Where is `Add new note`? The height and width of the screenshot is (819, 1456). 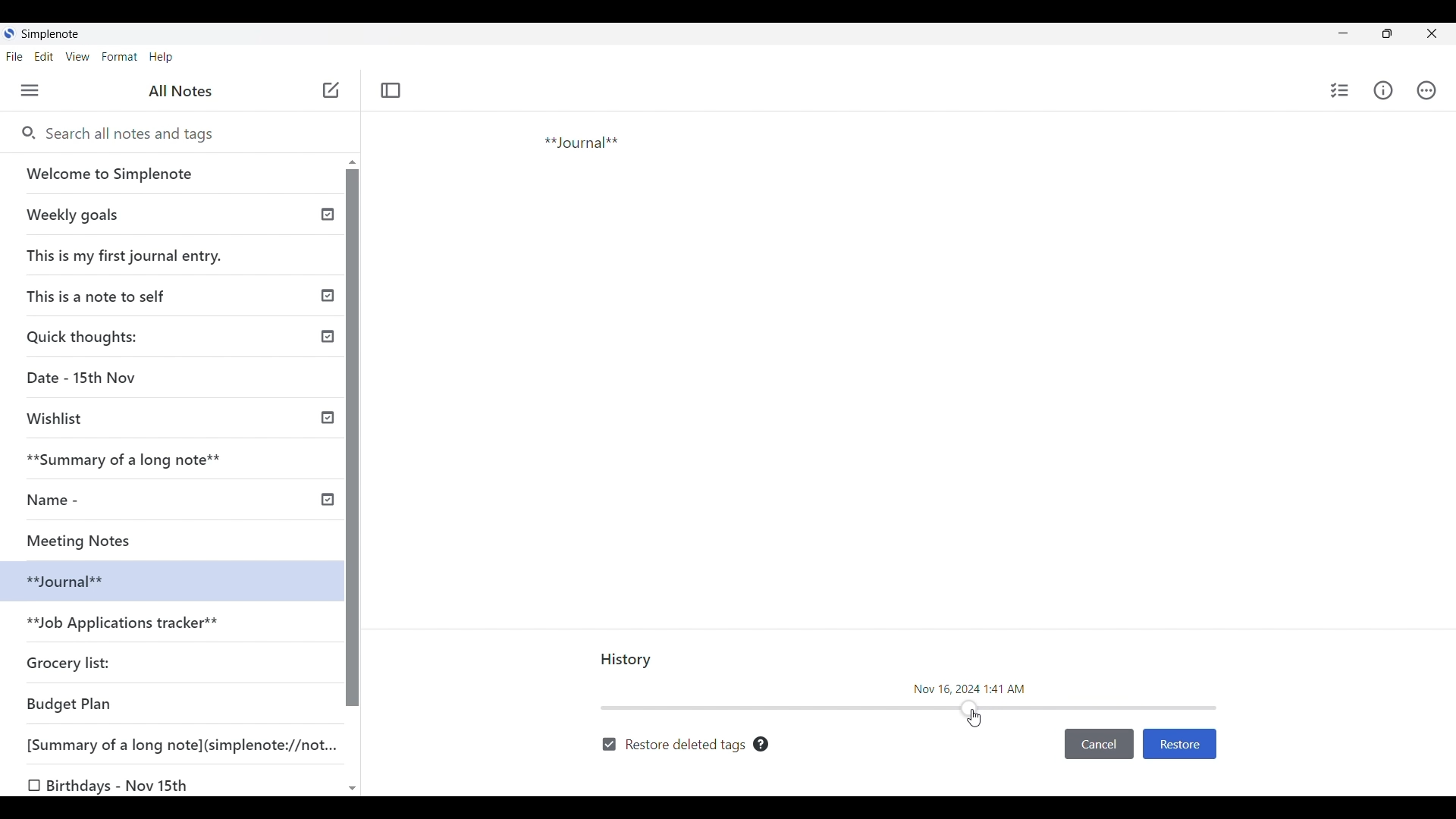
Add new note is located at coordinates (331, 89).